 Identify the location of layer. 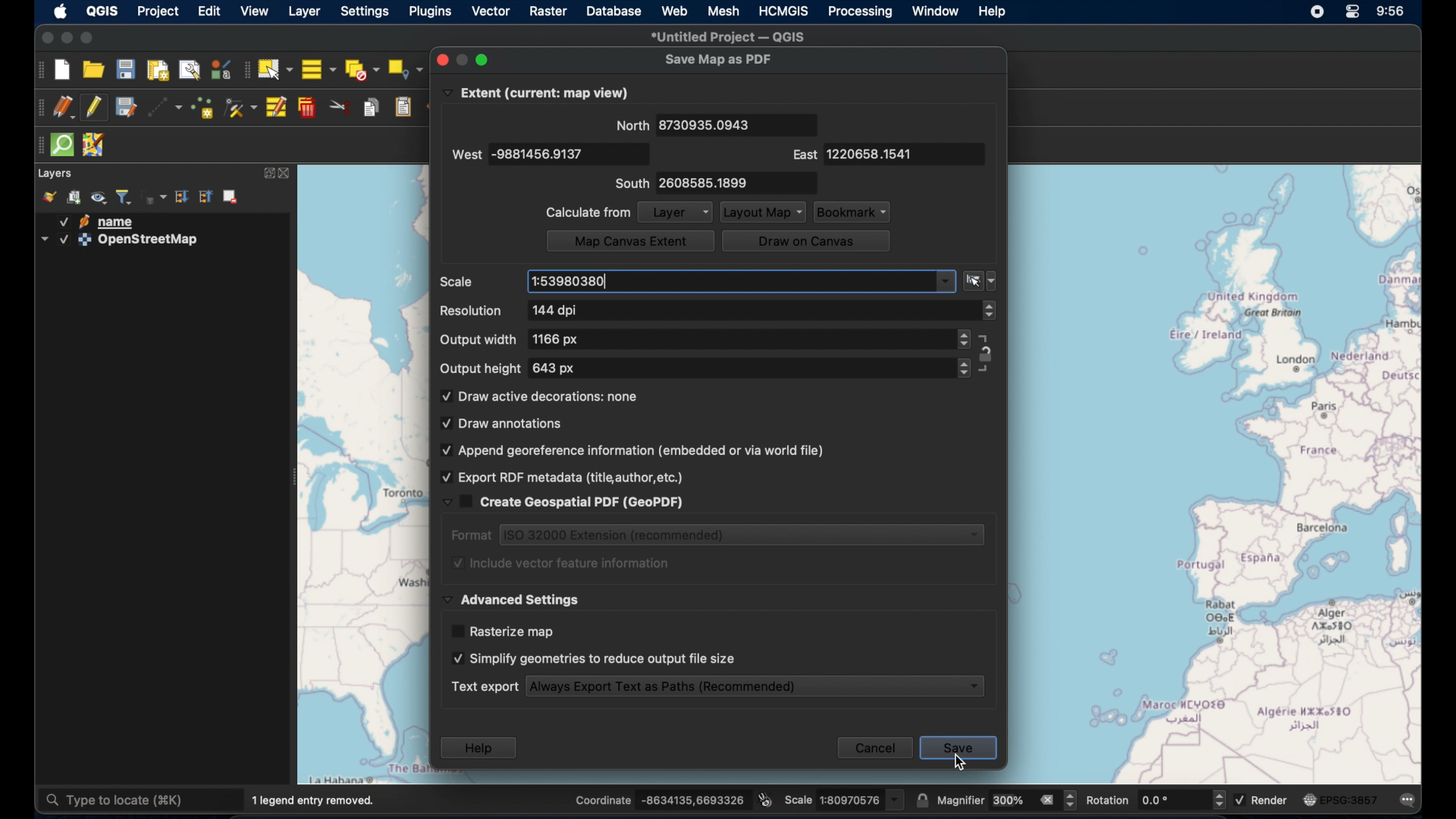
(304, 12).